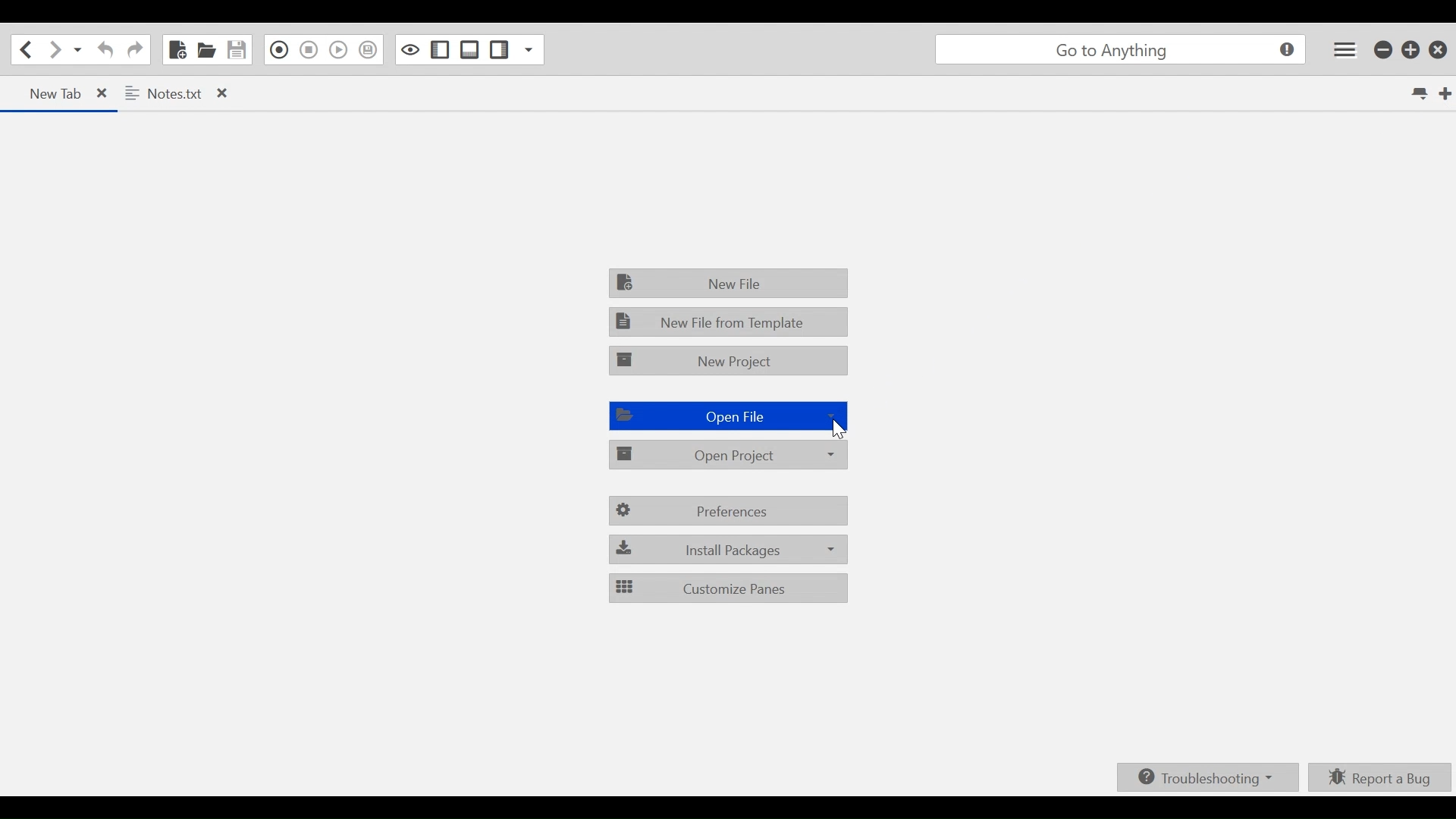 This screenshot has height=819, width=1456. I want to click on Install Packages, so click(730, 549).